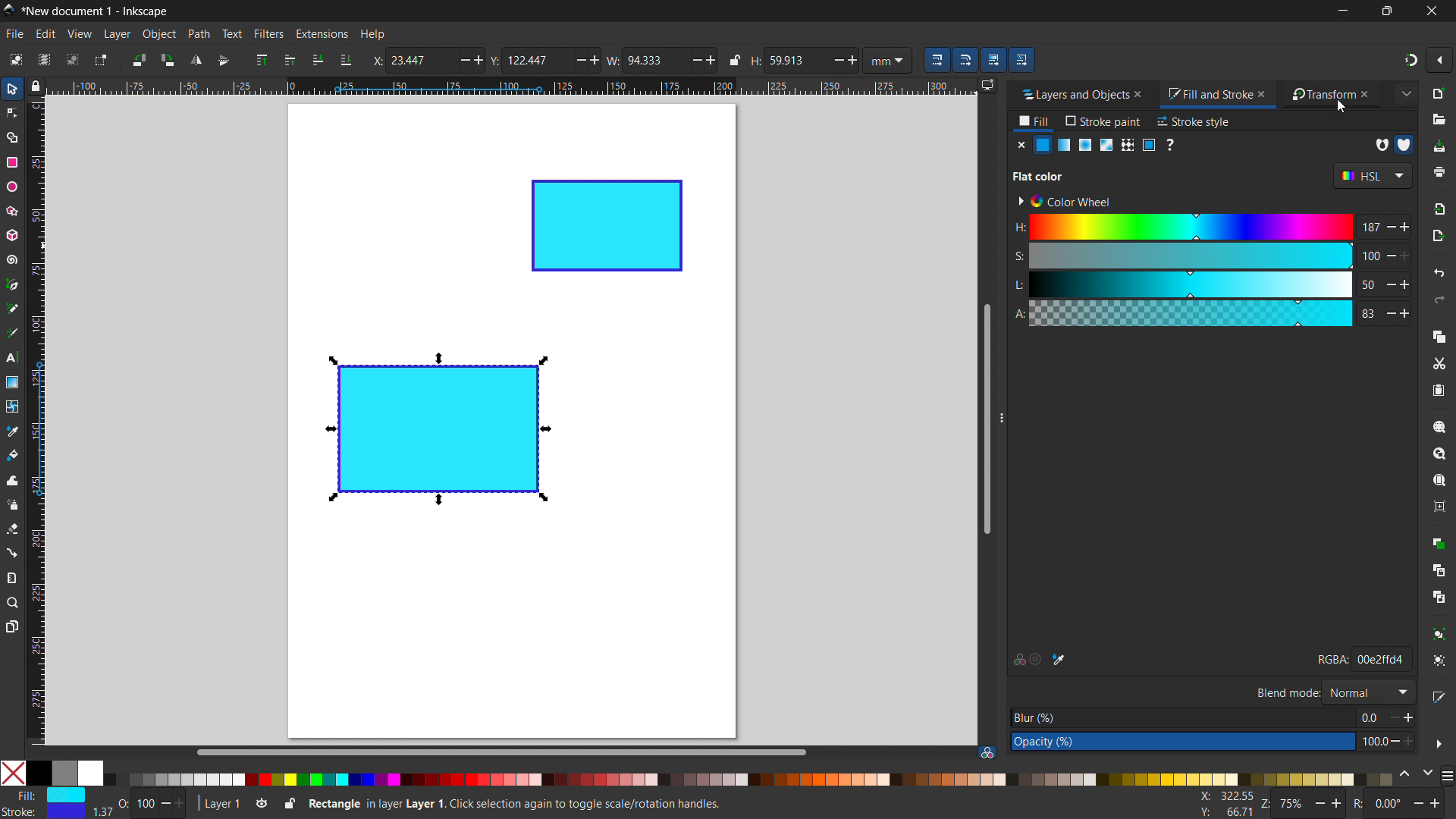 The height and width of the screenshot is (819, 1456). Describe the element at coordinates (1128, 145) in the screenshot. I see `pattern` at that location.